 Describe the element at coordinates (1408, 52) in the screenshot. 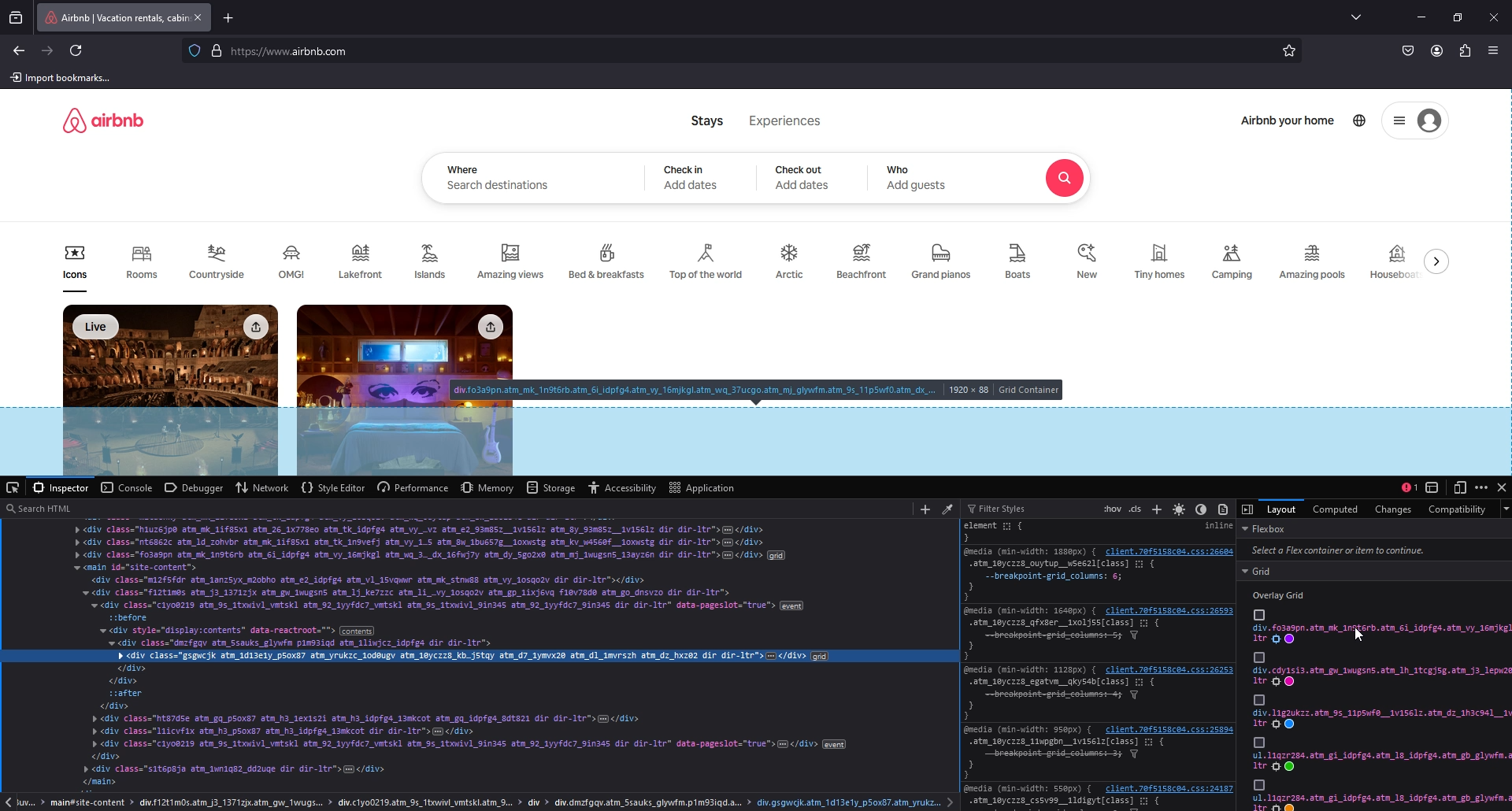

I see `save to pocket` at that location.